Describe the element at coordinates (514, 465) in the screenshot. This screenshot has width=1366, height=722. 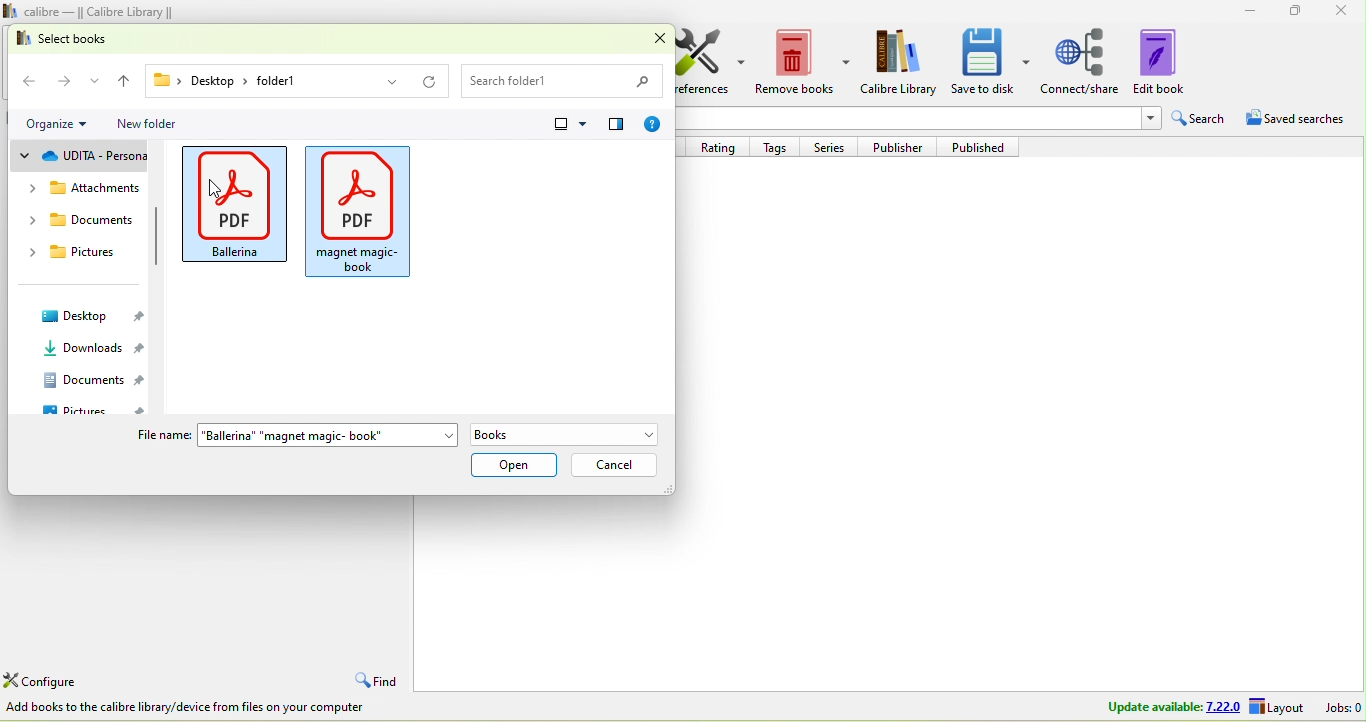
I see `open` at that location.